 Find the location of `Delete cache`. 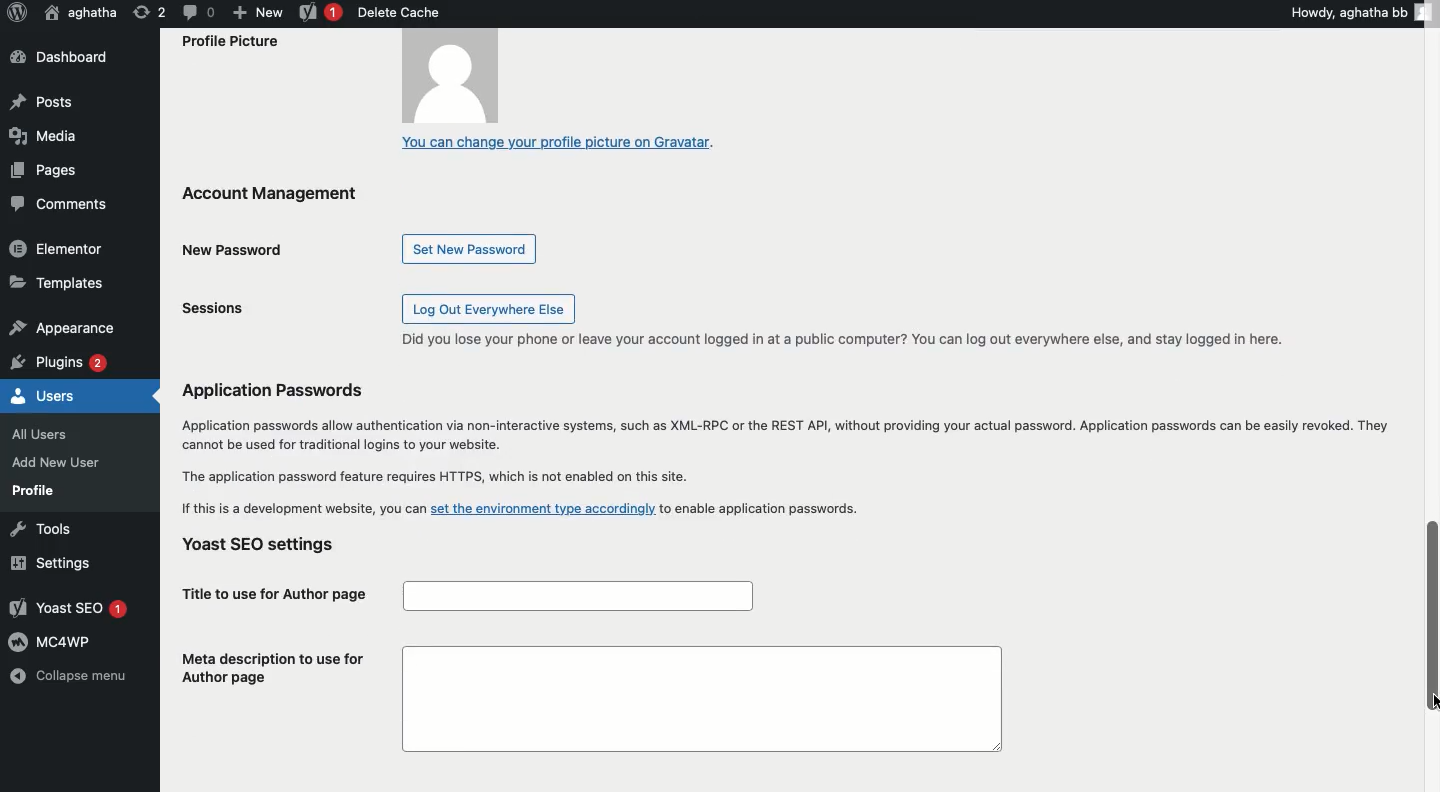

Delete cache is located at coordinates (398, 12).